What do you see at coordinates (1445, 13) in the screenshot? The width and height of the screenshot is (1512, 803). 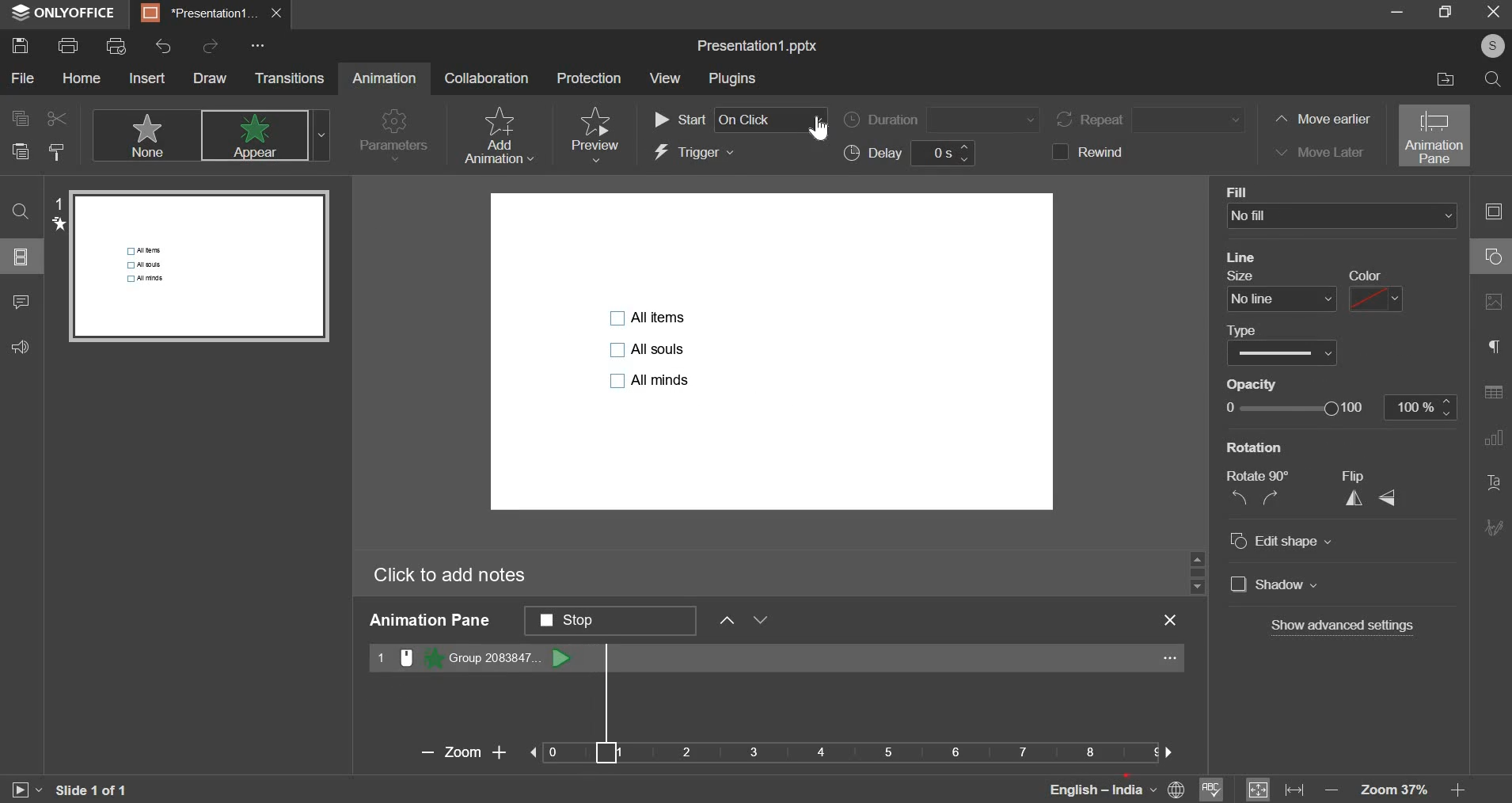 I see `maximize` at bounding box center [1445, 13].